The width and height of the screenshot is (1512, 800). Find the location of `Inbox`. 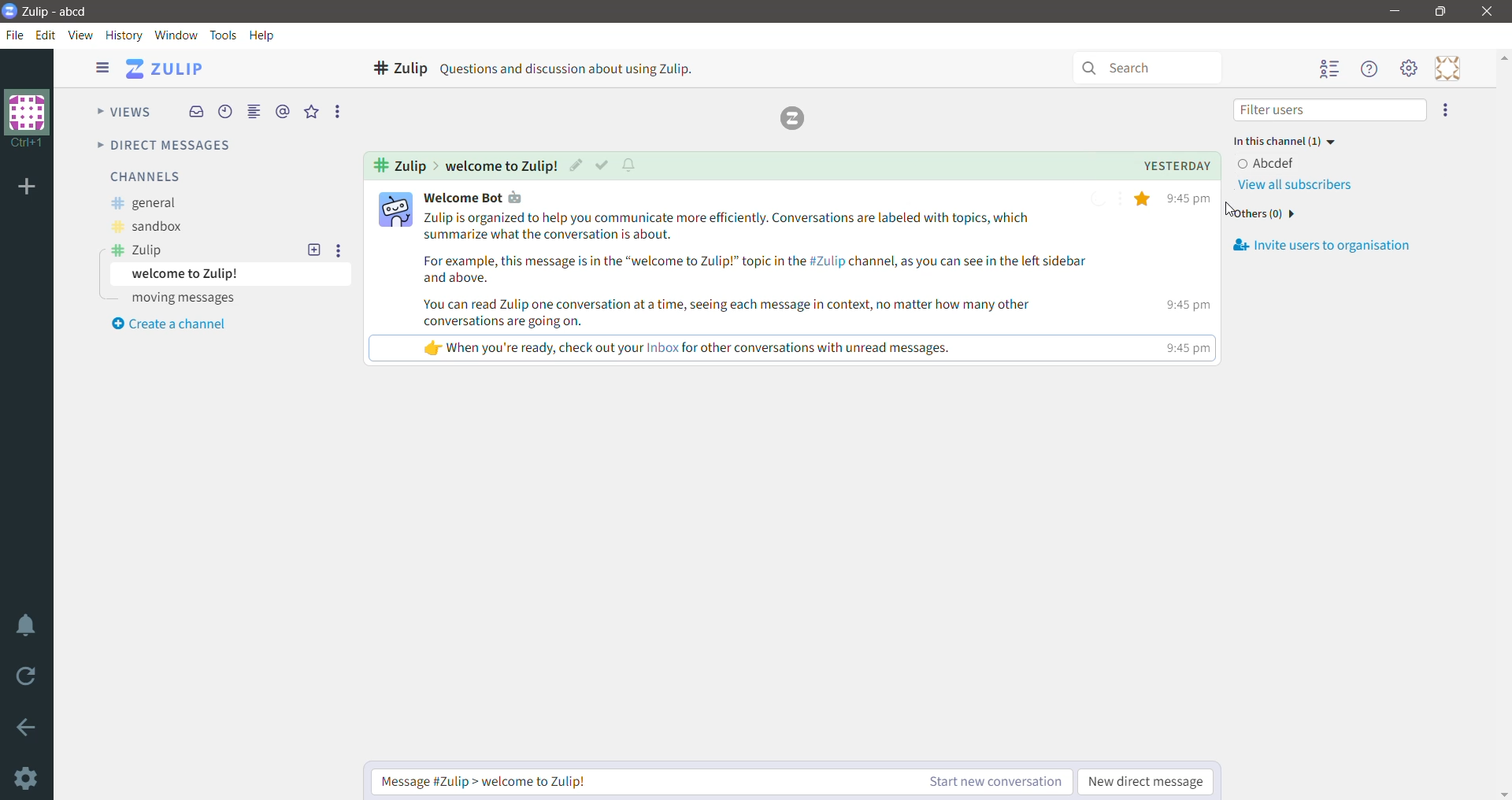

Inbox is located at coordinates (197, 112).